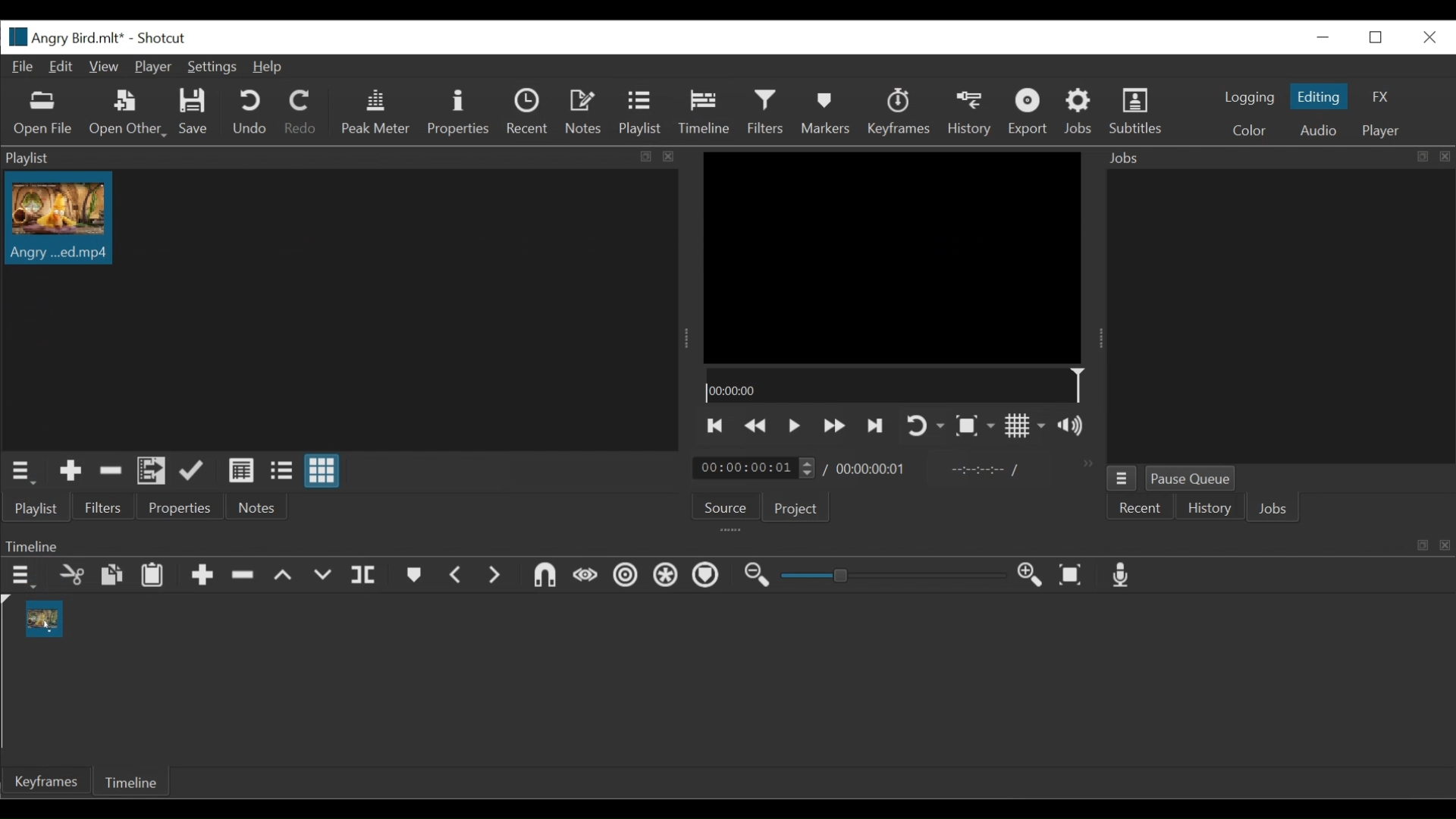 This screenshot has height=819, width=1456. What do you see at coordinates (49, 783) in the screenshot?
I see `keyframe` at bounding box center [49, 783].